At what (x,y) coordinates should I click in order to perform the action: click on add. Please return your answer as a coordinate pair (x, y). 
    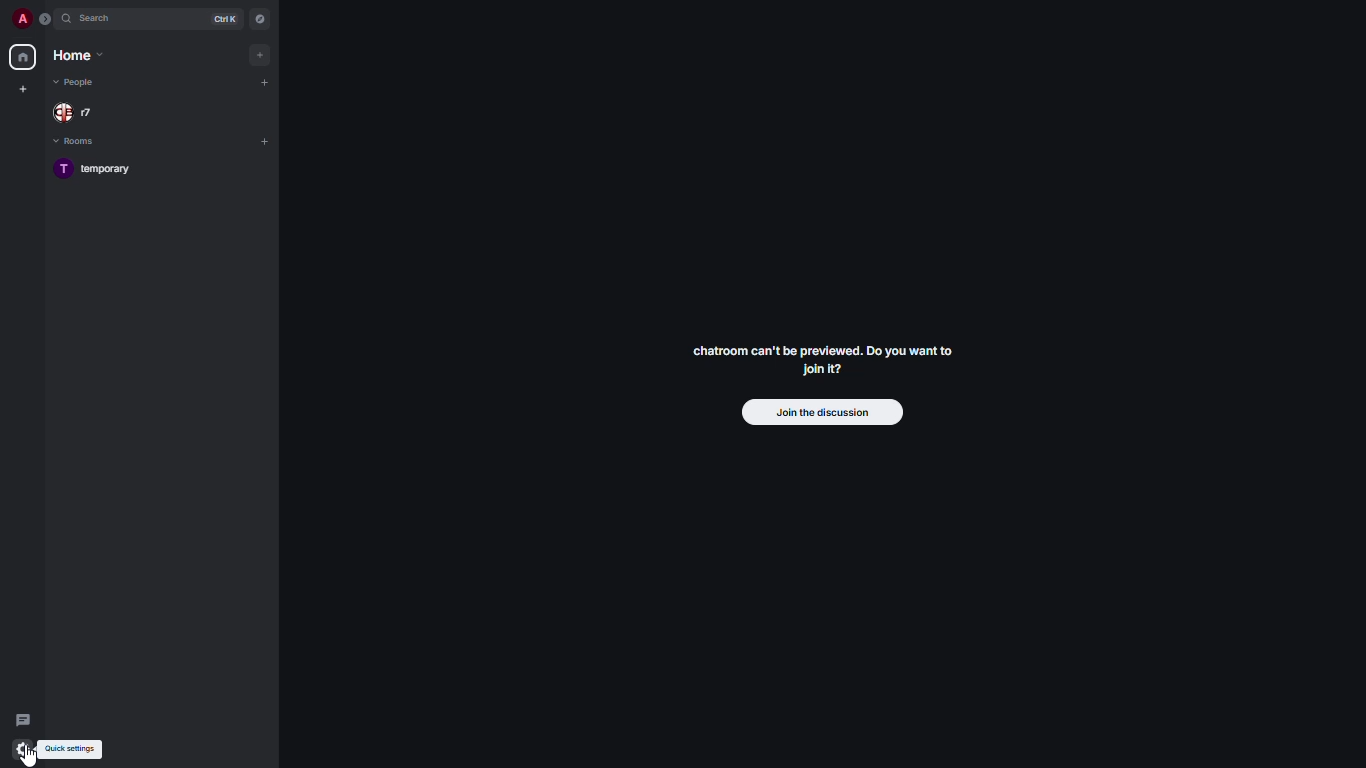
    Looking at the image, I should click on (262, 53).